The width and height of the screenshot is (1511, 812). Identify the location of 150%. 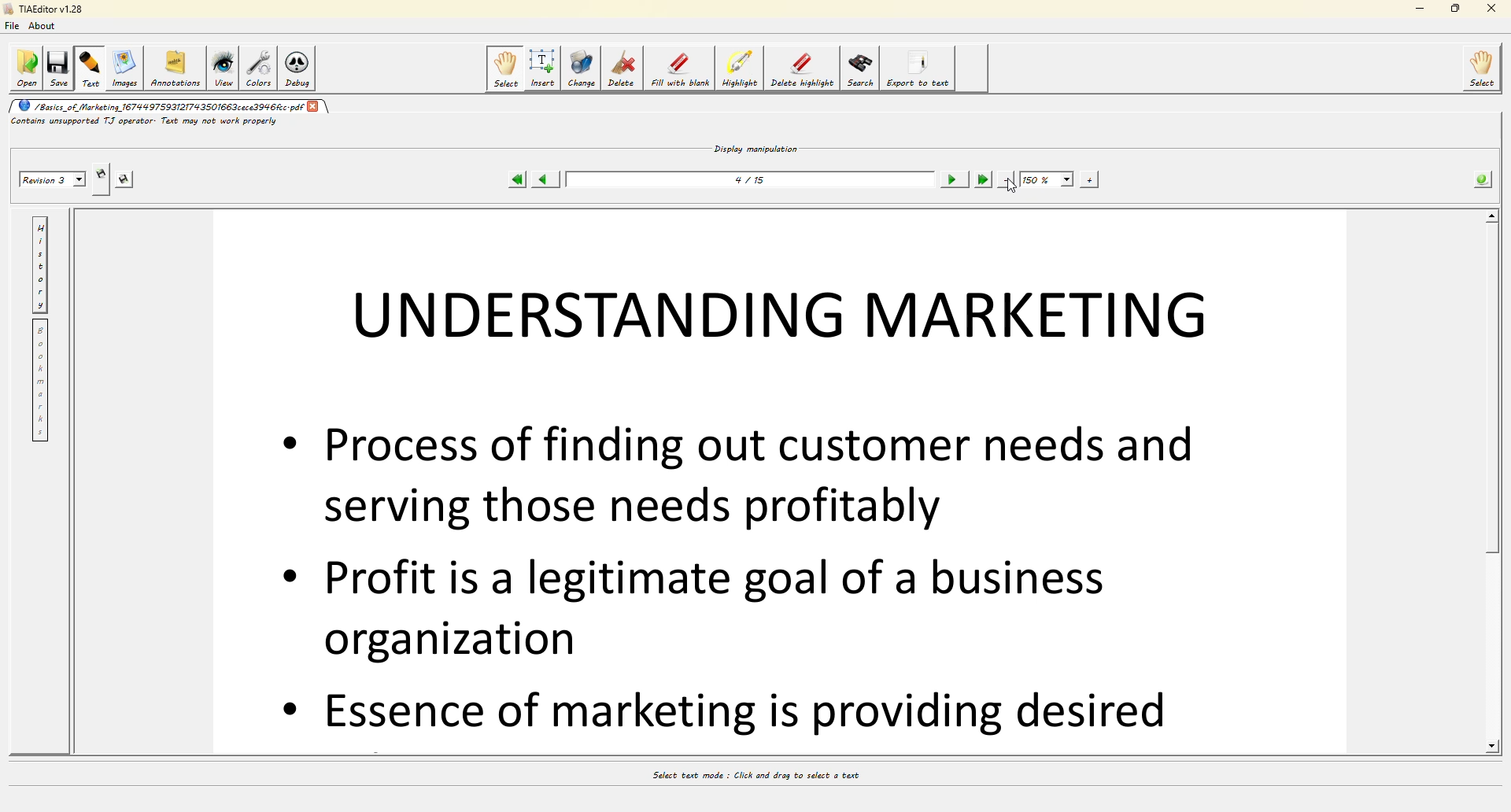
(1046, 179).